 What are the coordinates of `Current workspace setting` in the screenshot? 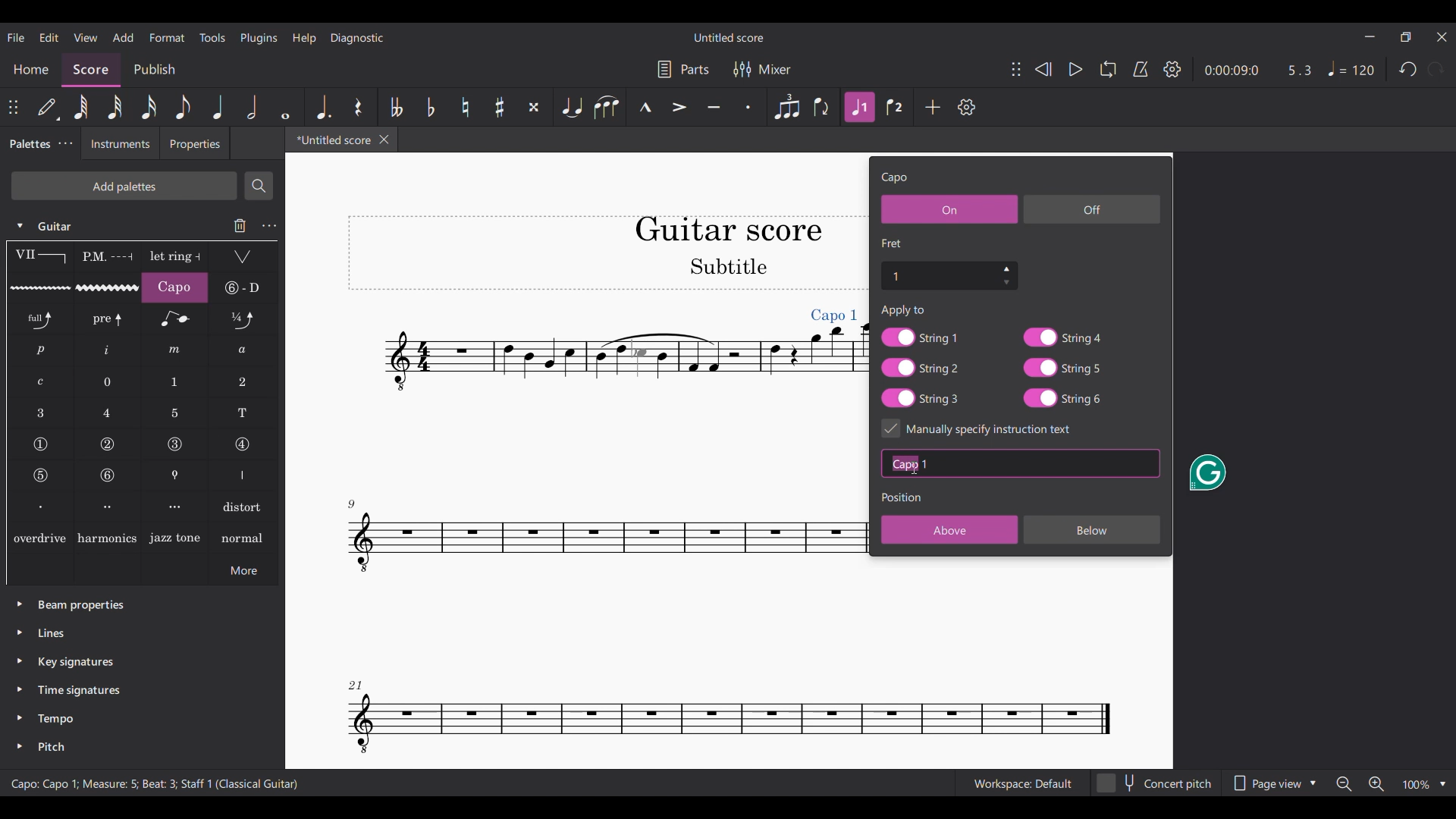 It's located at (1022, 783).